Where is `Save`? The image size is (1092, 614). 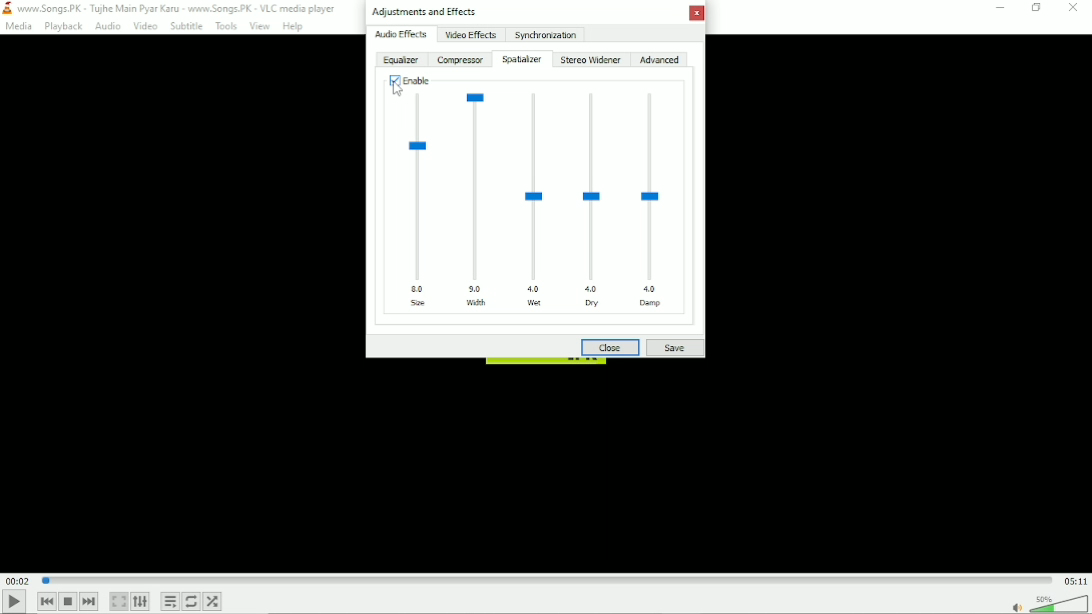 Save is located at coordinates (674, 348).